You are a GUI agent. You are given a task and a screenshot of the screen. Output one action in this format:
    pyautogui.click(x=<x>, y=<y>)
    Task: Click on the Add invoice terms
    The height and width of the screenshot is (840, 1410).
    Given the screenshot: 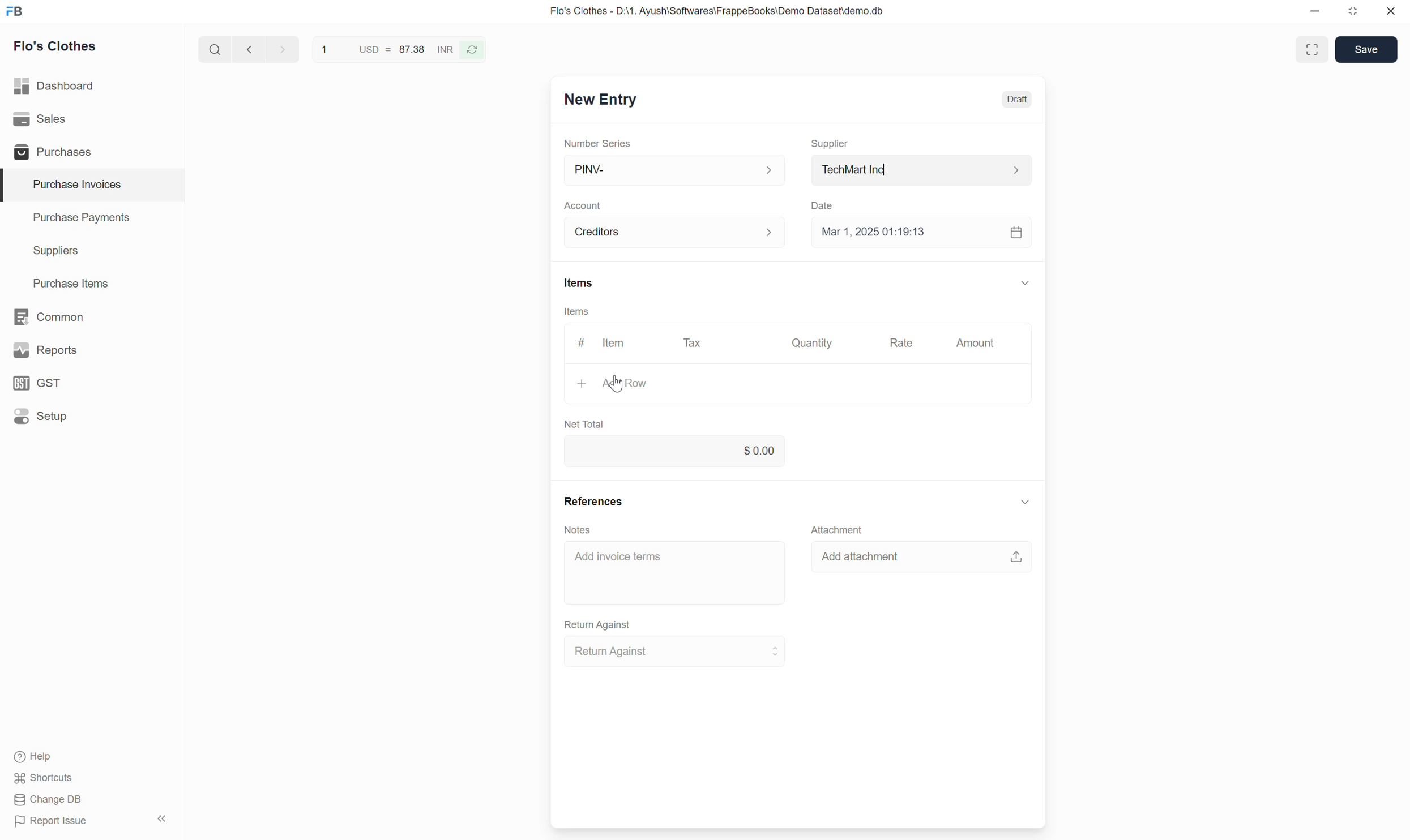 What is the action you would take?
    pyautogui.click(x=677, y=573)
    